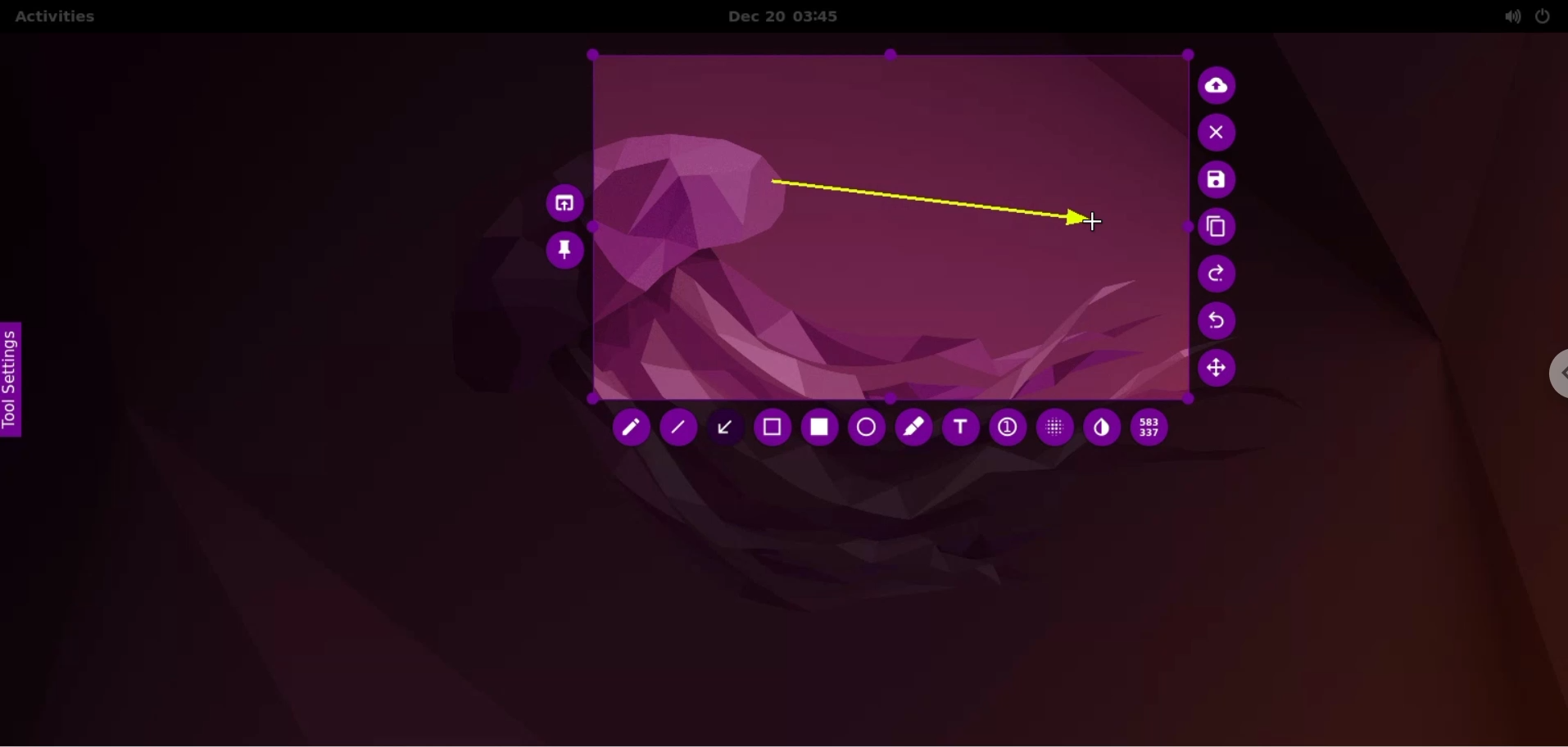 The image size is (1568, 747). What do you see at coordinates (1102, 428) in the screenshot?
I see `inverter tool` at bounding box center [1102, 428].